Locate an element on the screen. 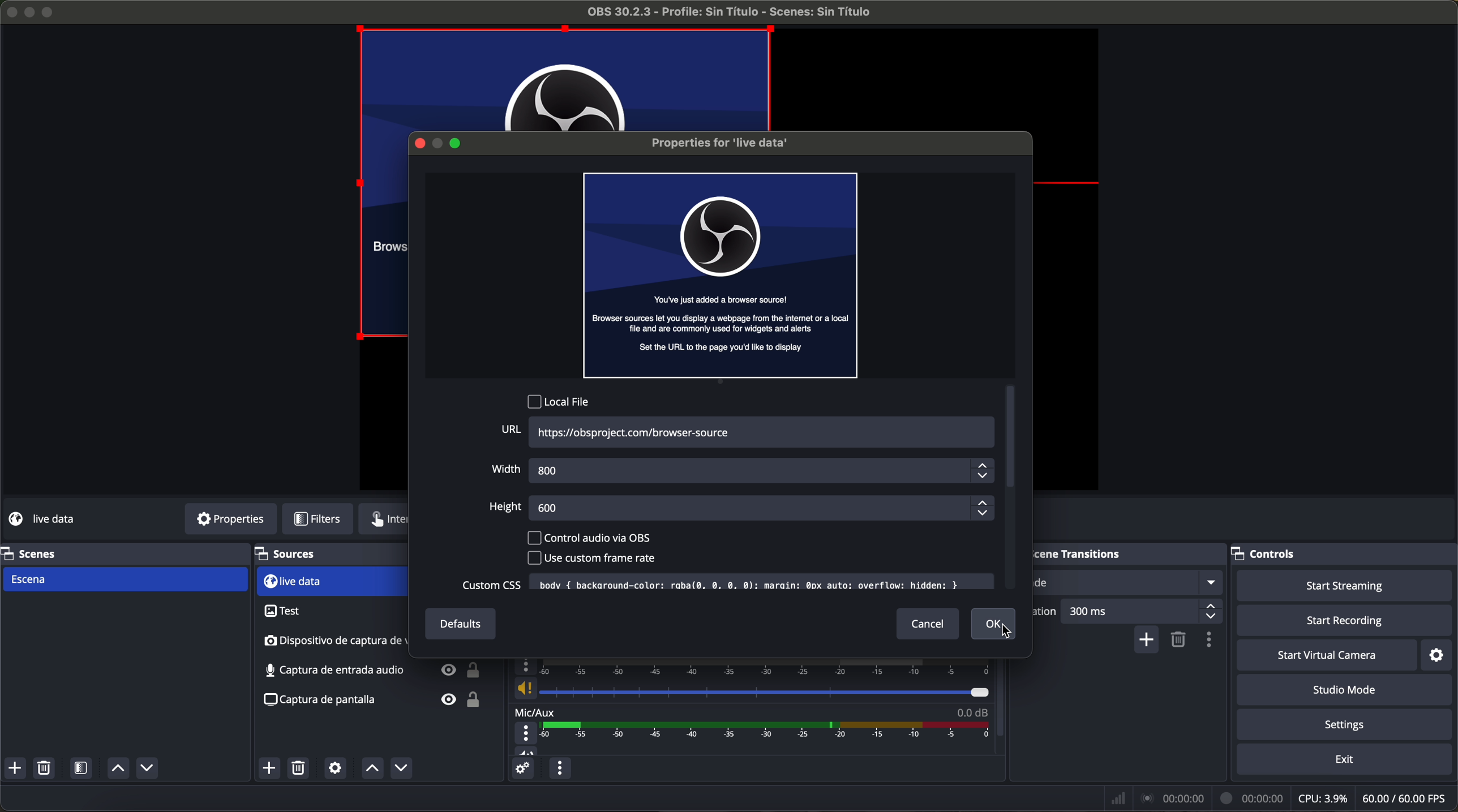 This screenshot has height=812, width=1458. video capture device is located at coordinates (331, 613).